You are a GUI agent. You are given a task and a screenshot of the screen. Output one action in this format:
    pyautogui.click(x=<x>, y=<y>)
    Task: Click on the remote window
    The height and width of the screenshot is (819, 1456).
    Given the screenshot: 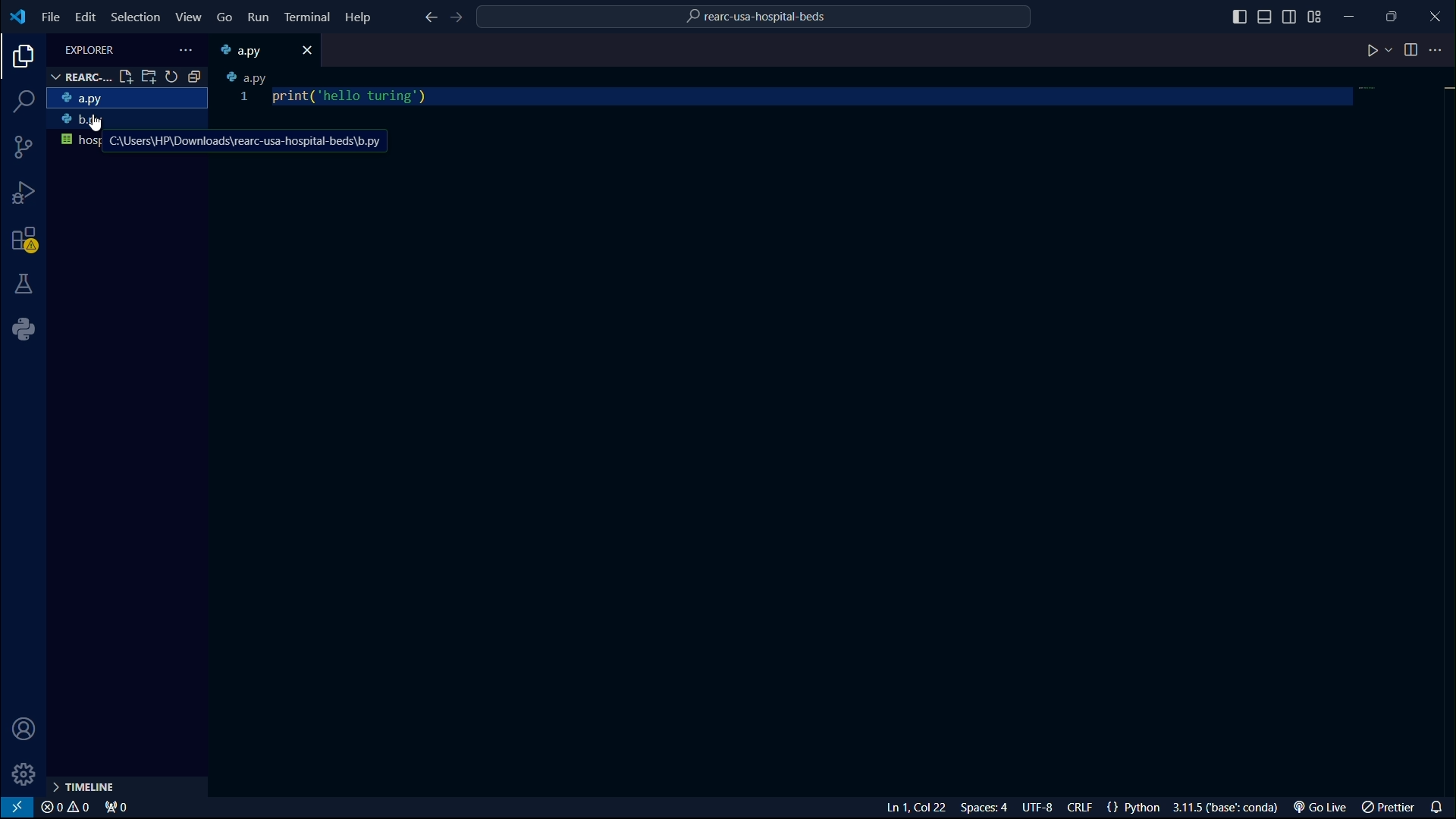 What is the action you would take?
    pyautogui.click(x=18, y=808)
    